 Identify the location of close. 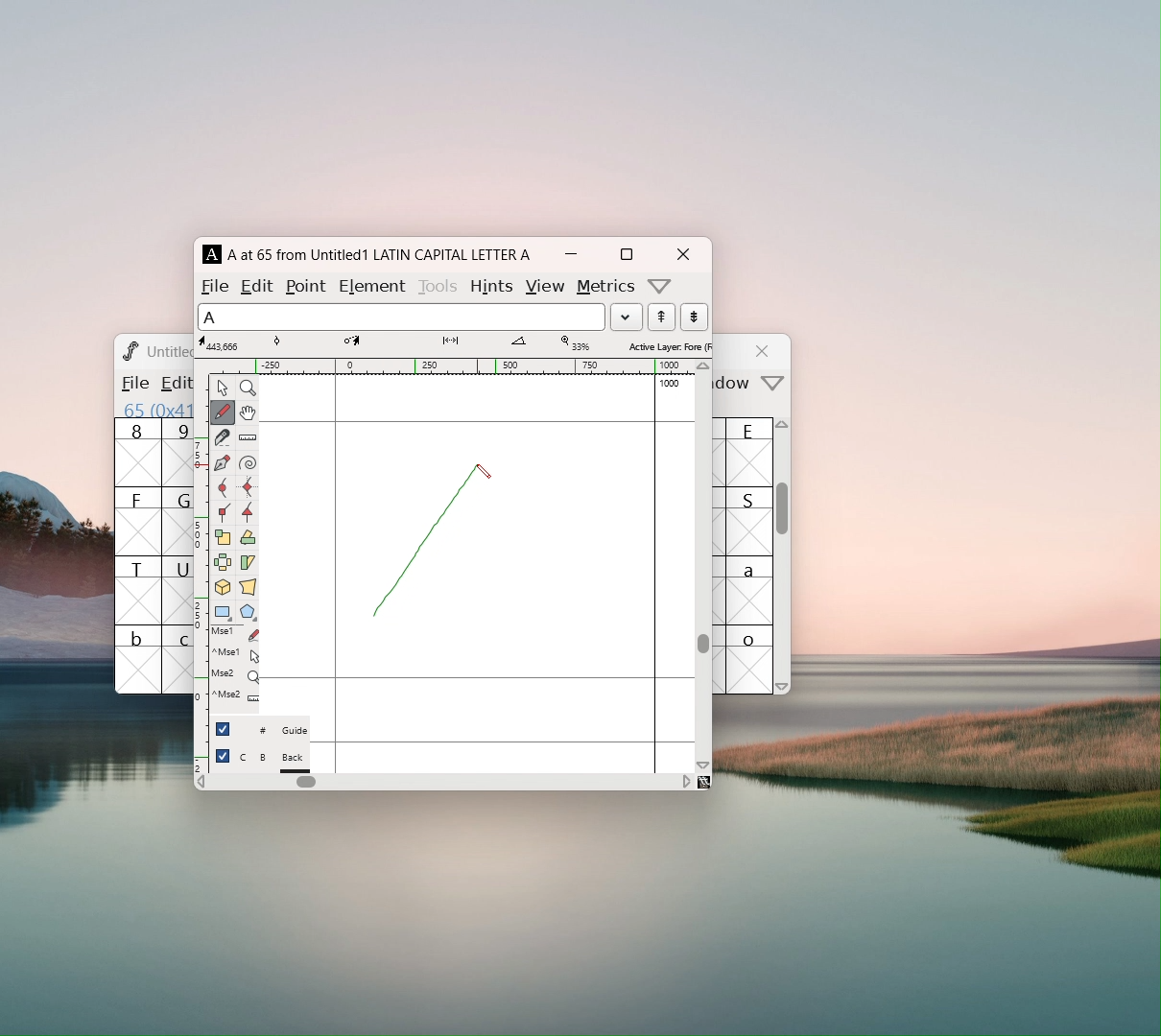
(682, 254).